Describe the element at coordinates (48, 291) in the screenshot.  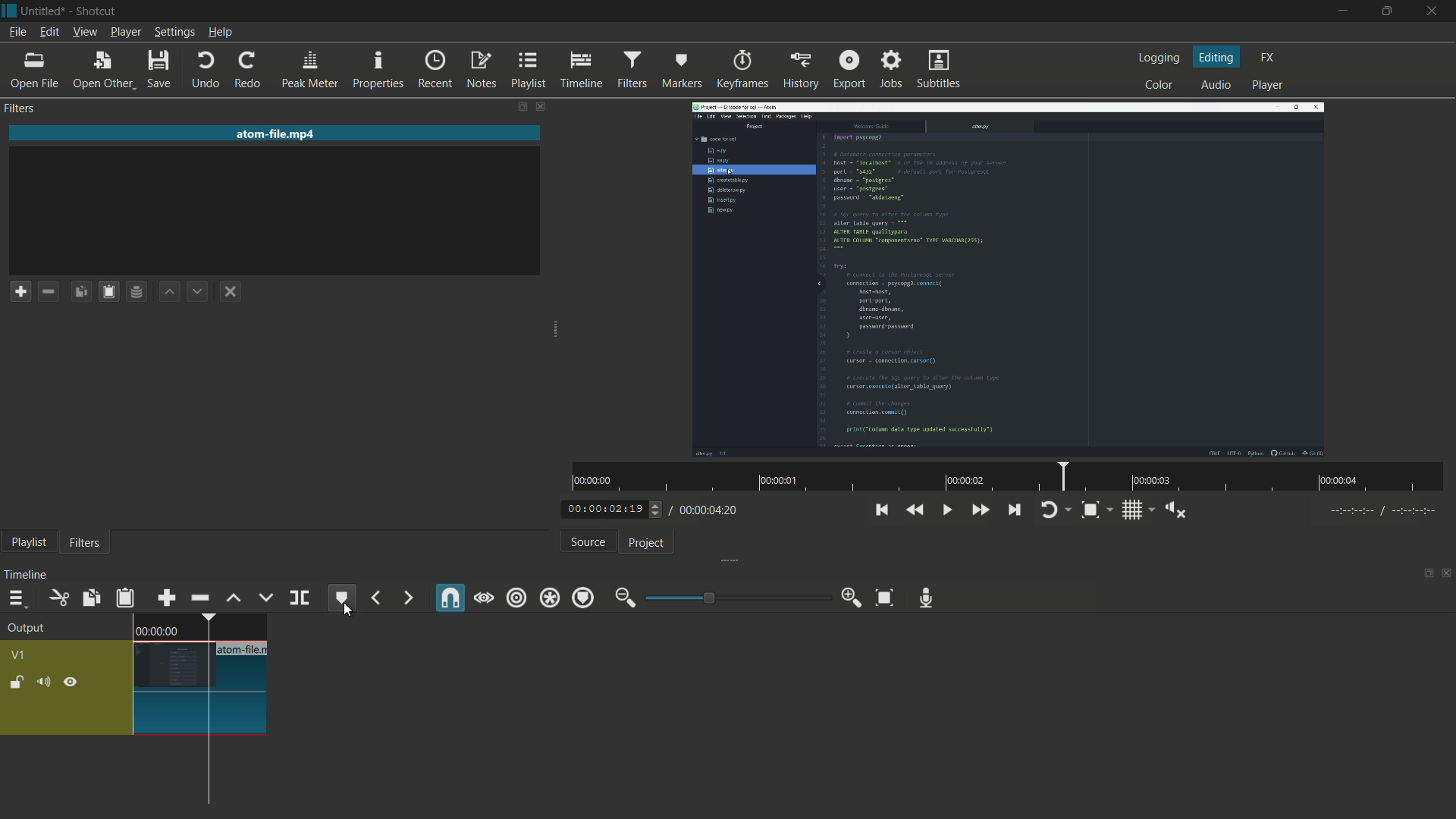
I see `remove filter` at that location.